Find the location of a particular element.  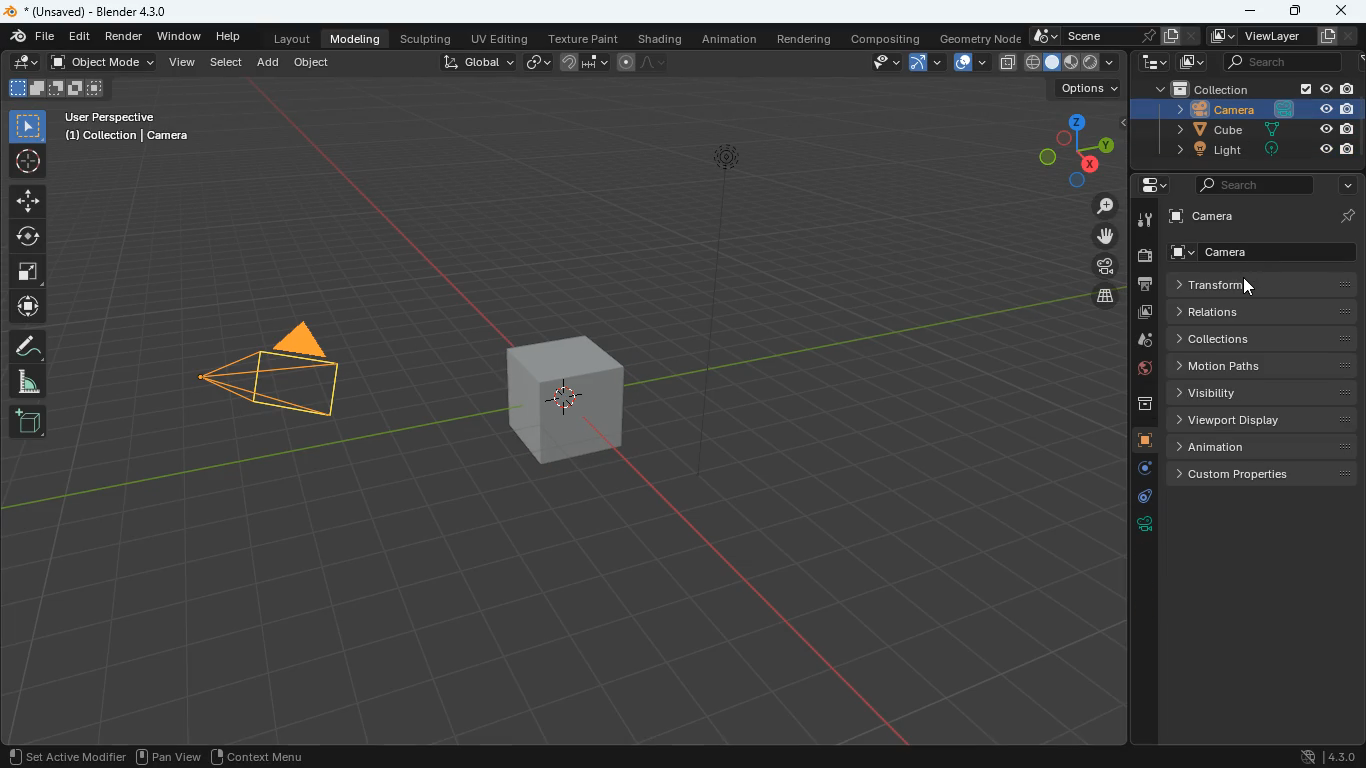

light is located at coordinates (1258, 151).